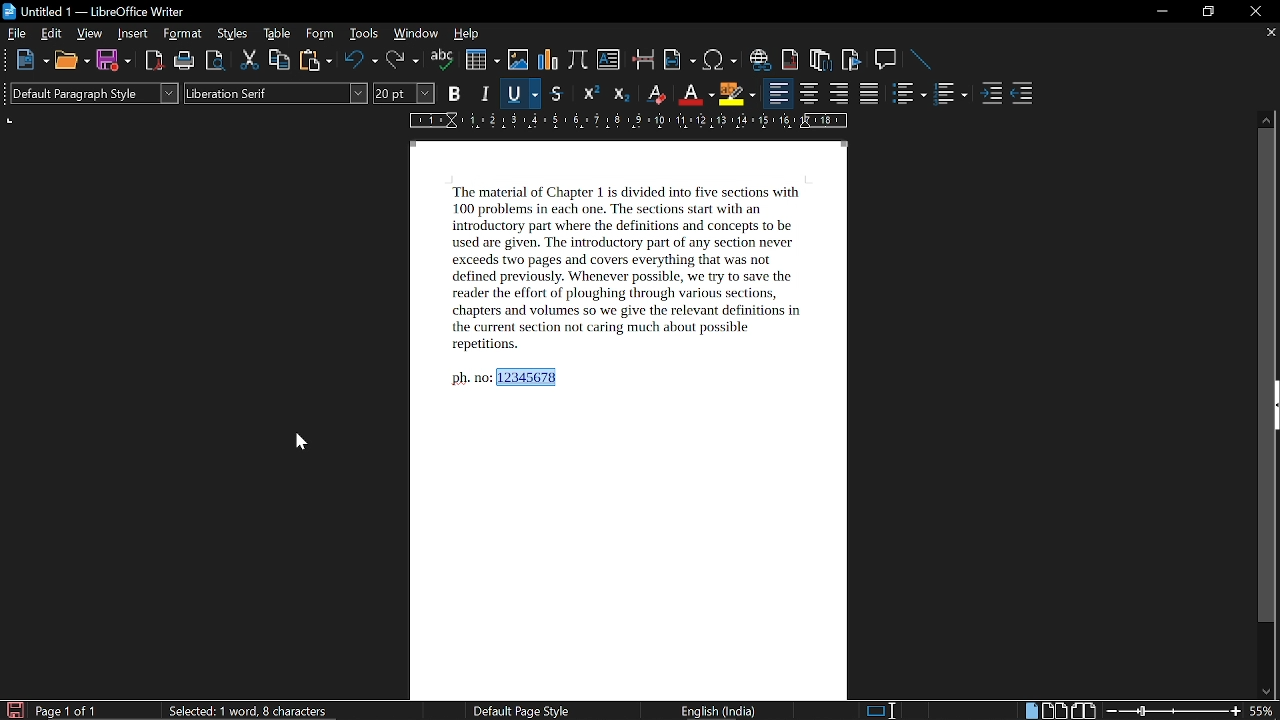  I want to click on insert image, so click(517, 60).